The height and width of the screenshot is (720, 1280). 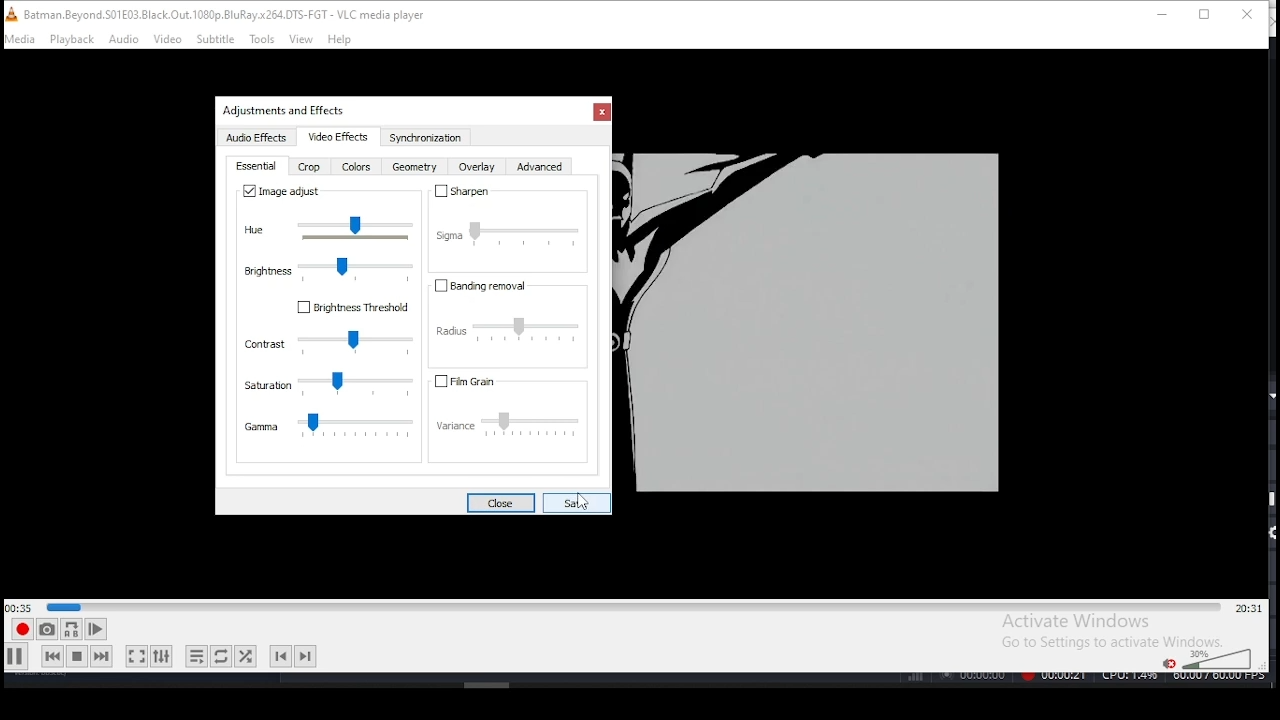 I want to click on remaining/total time, so click(x=1248, y=608).